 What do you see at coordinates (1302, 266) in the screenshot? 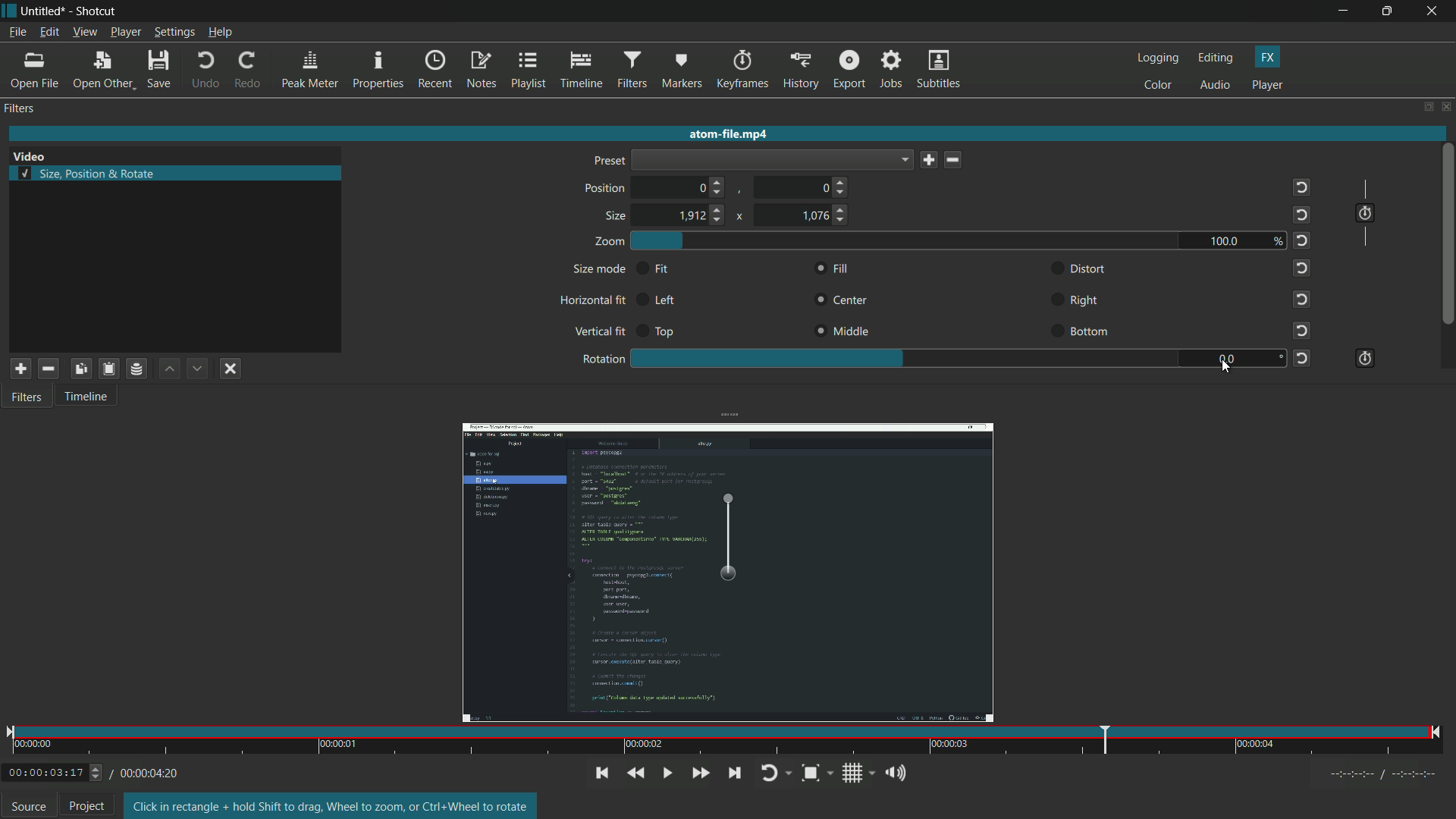
I see `reset to default` at bounding box center [1302, 266].